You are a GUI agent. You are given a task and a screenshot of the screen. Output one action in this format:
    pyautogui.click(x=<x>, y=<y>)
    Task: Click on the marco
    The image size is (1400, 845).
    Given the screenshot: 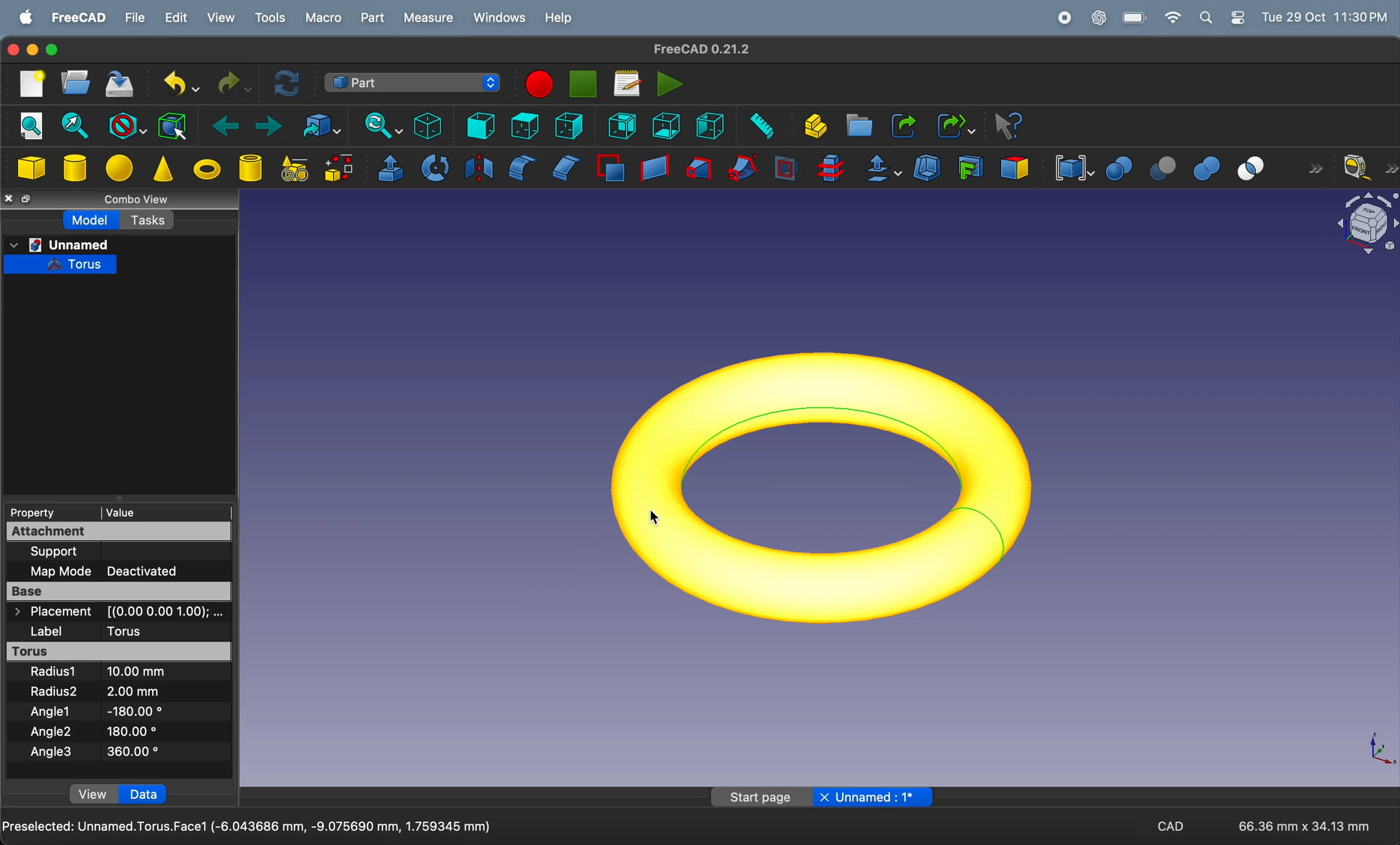 What is the action you would take?
    pyautogui.click(x=323, y=16)
    